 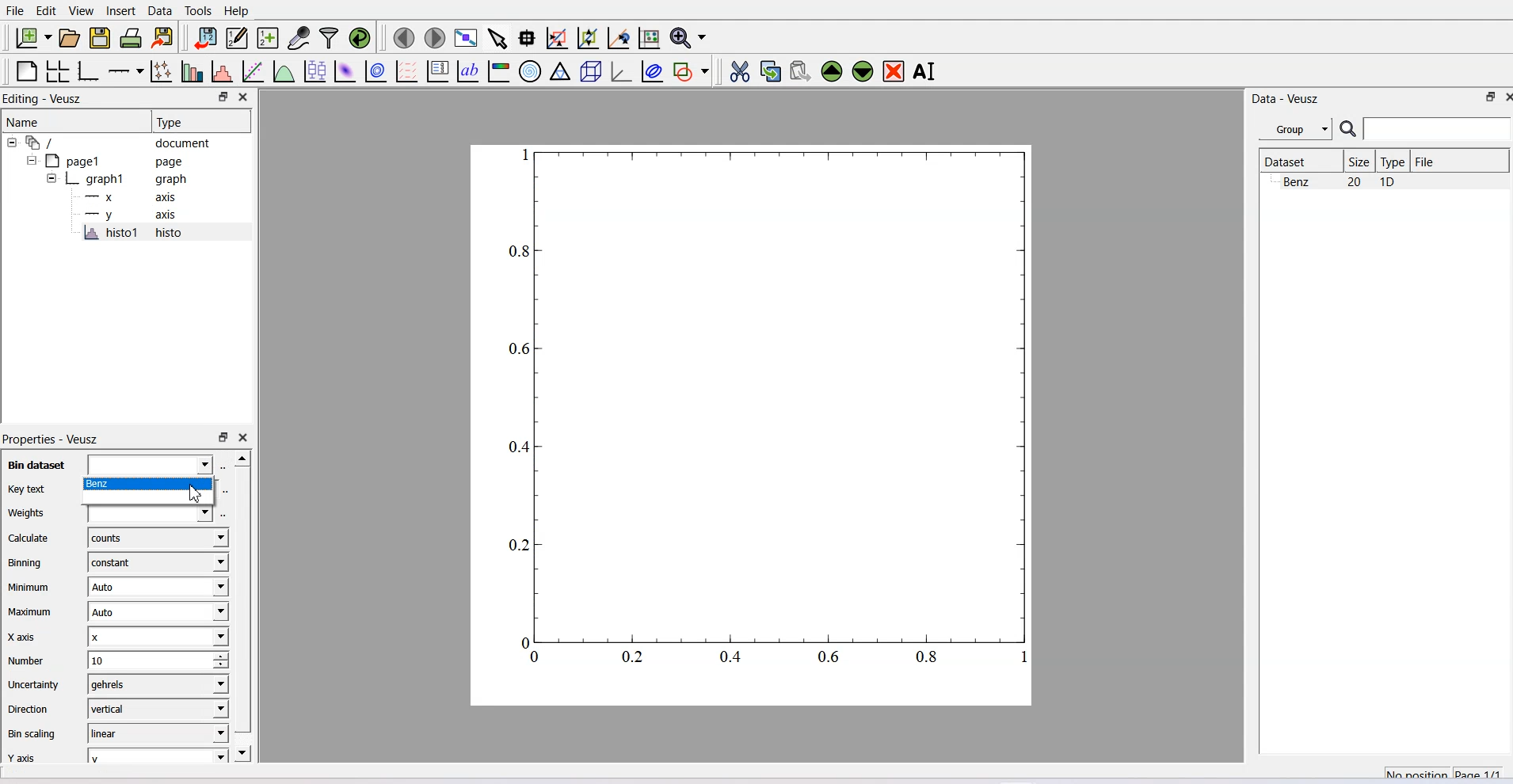 I want to click on Tools, so click(x=198, y=11).